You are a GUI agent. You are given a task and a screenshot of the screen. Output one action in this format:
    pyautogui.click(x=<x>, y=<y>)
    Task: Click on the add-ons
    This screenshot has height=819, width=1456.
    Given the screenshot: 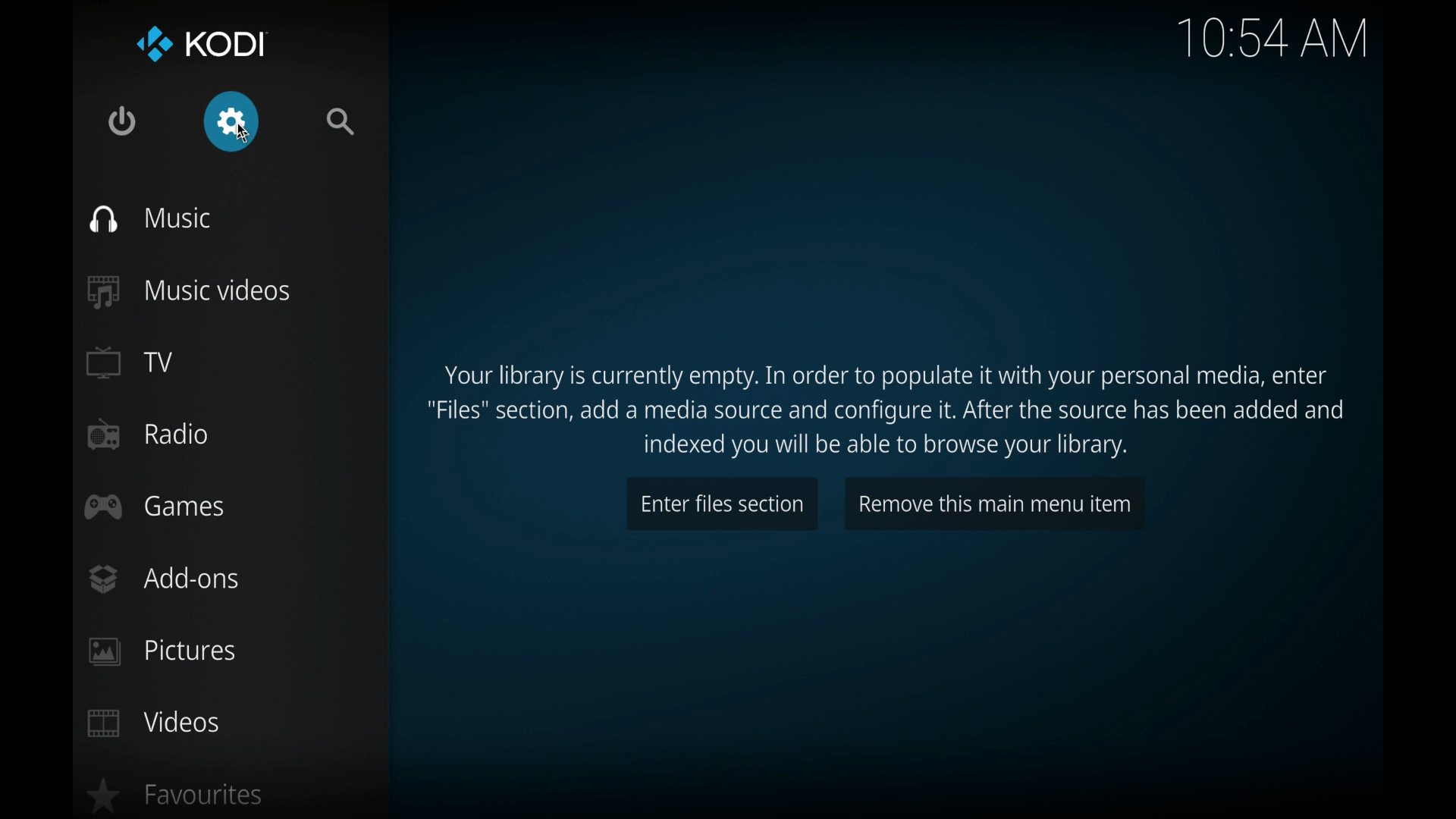 What is the action you would take?
    pyautogui.click(x=163, y=579)
    